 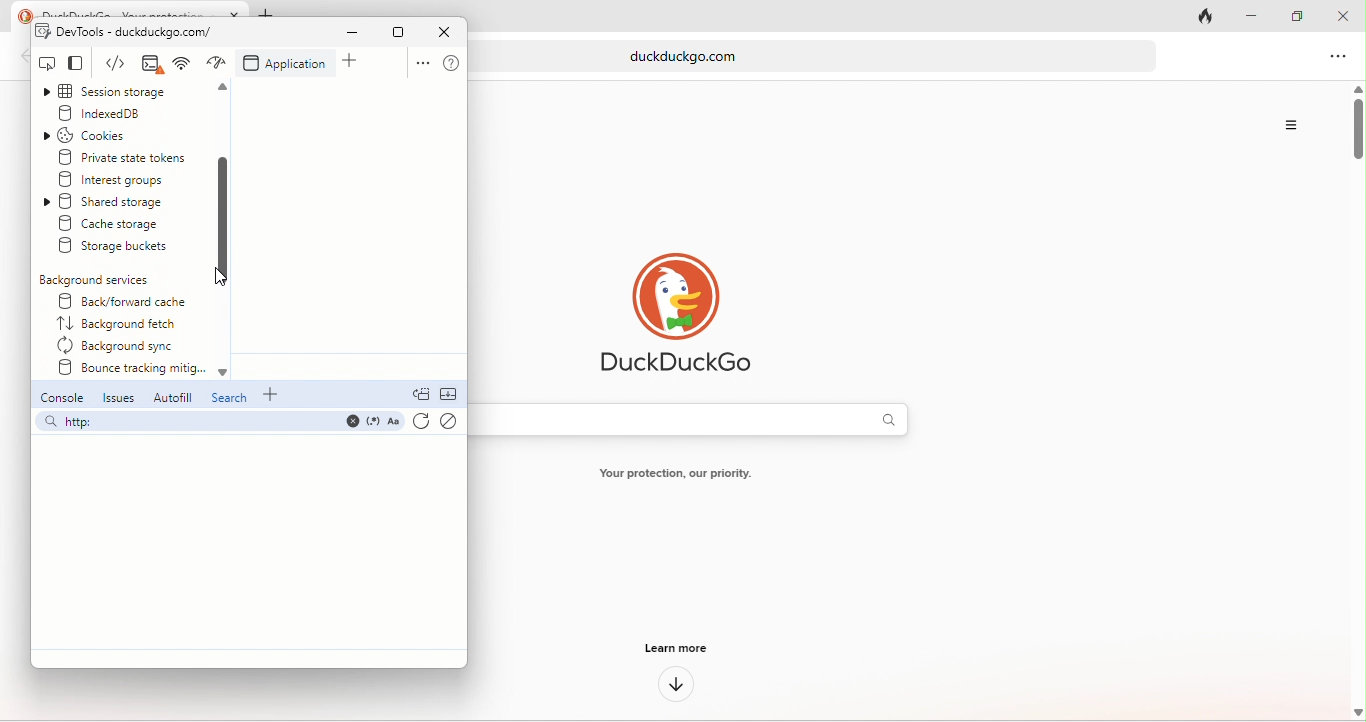 I want to click on duck duck go logo, so click(x=674, y=314).